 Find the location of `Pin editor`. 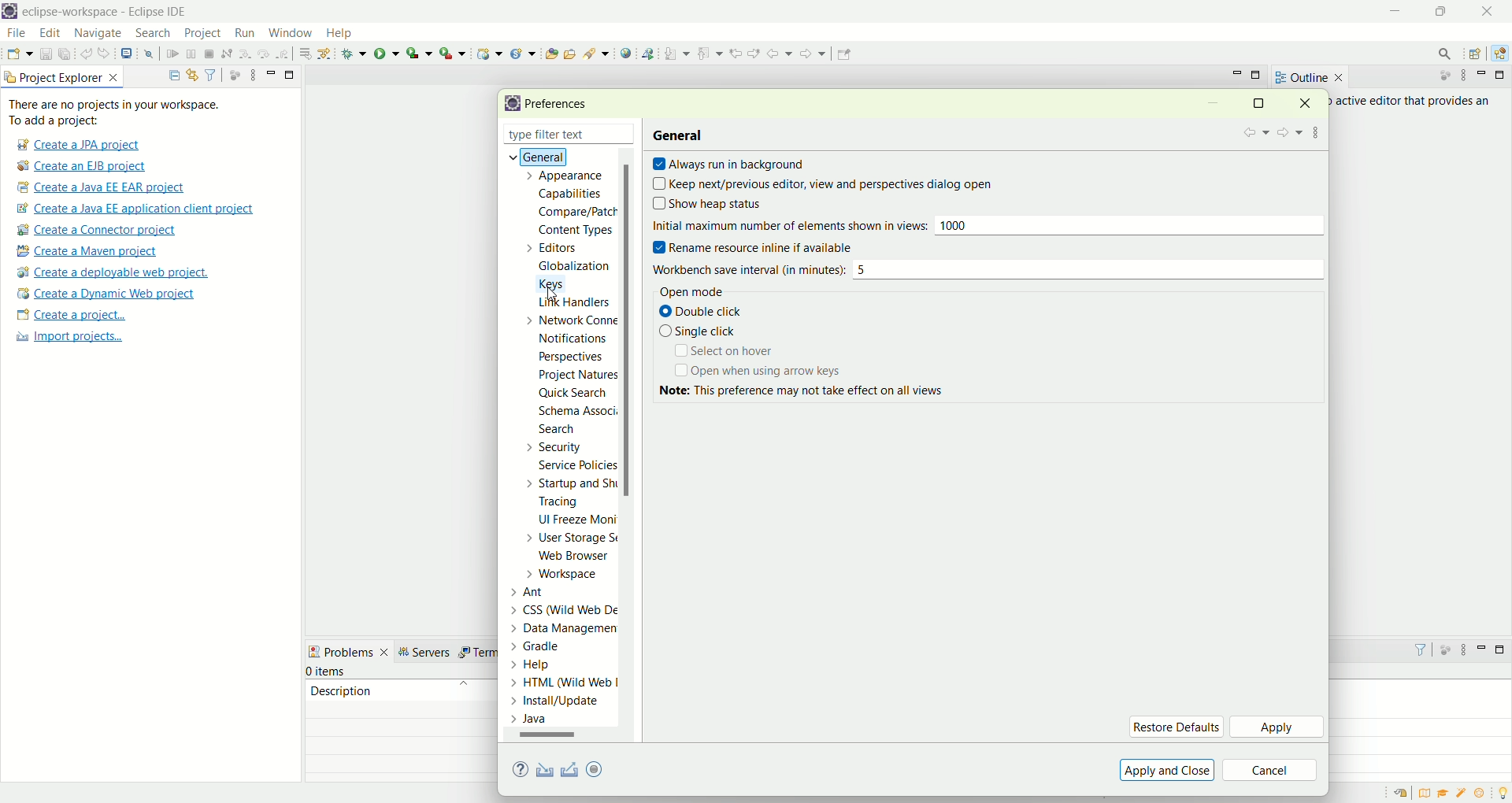

Pin editor is located at coordinates (842, 56).